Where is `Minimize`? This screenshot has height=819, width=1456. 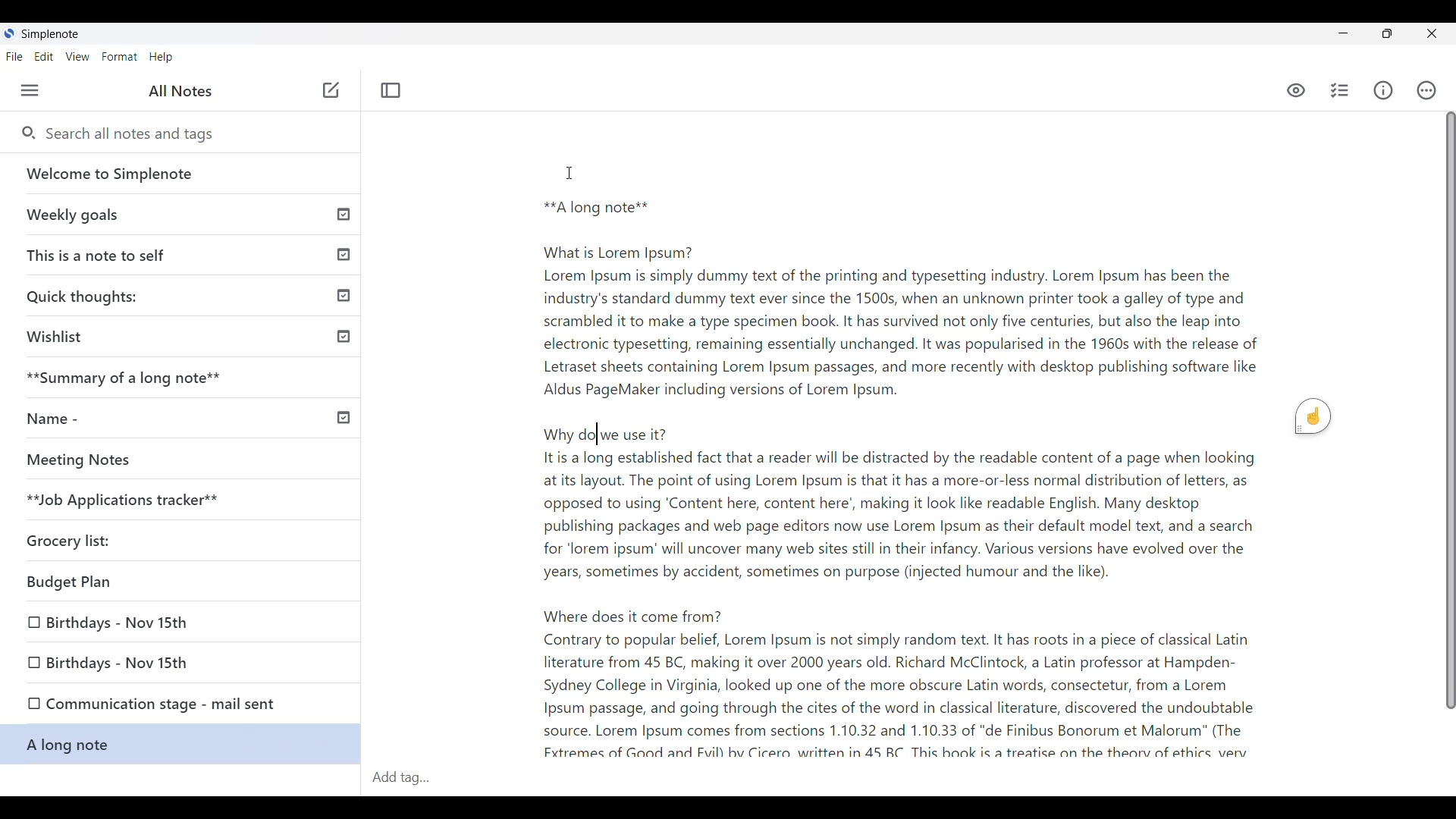 Minimize is located at coordinates (1344, 33).